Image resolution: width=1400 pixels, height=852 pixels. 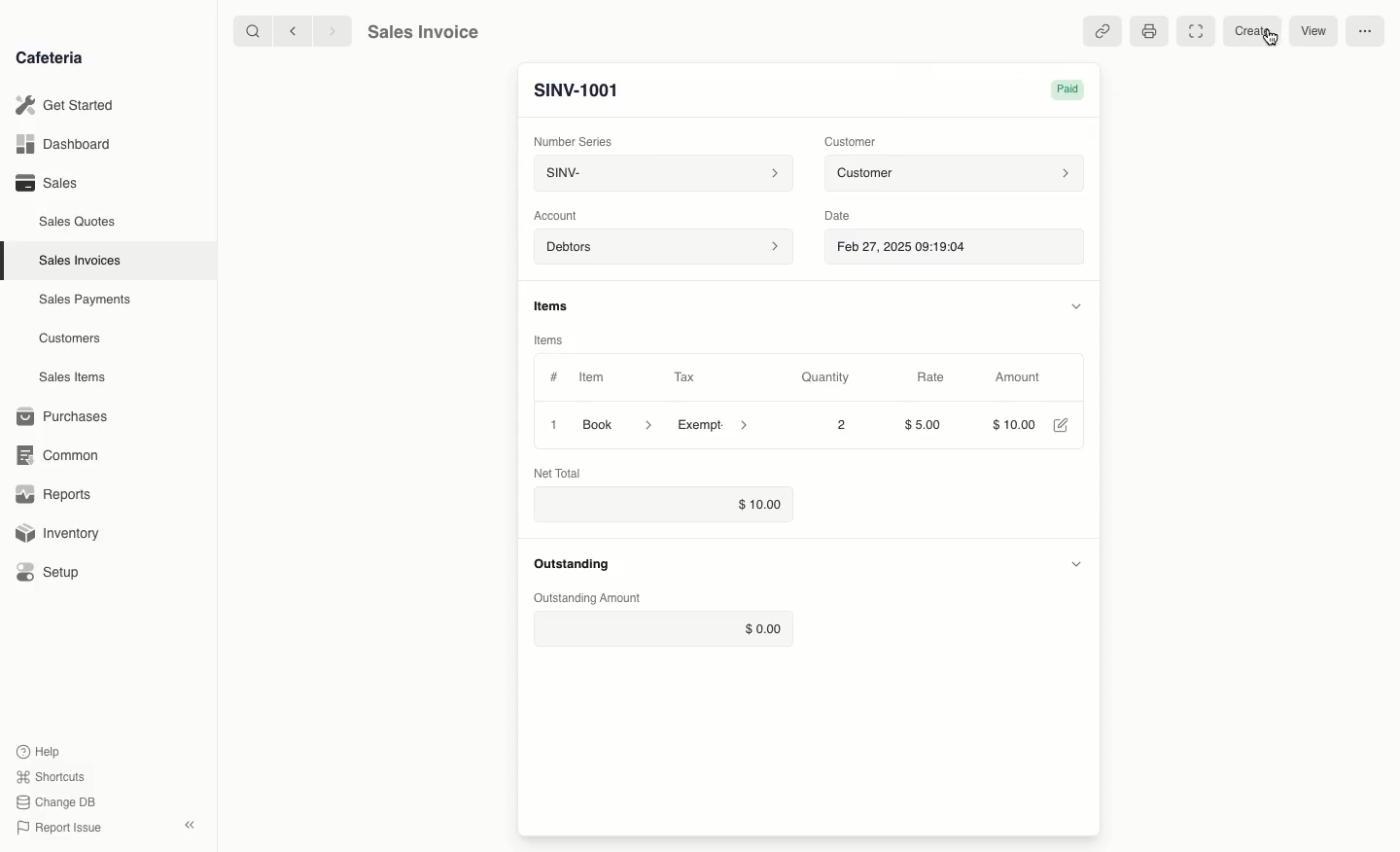 What do you see at coordinates (547, 341) in the screenshot?
I see `Items` at bounding box center [547, 341].